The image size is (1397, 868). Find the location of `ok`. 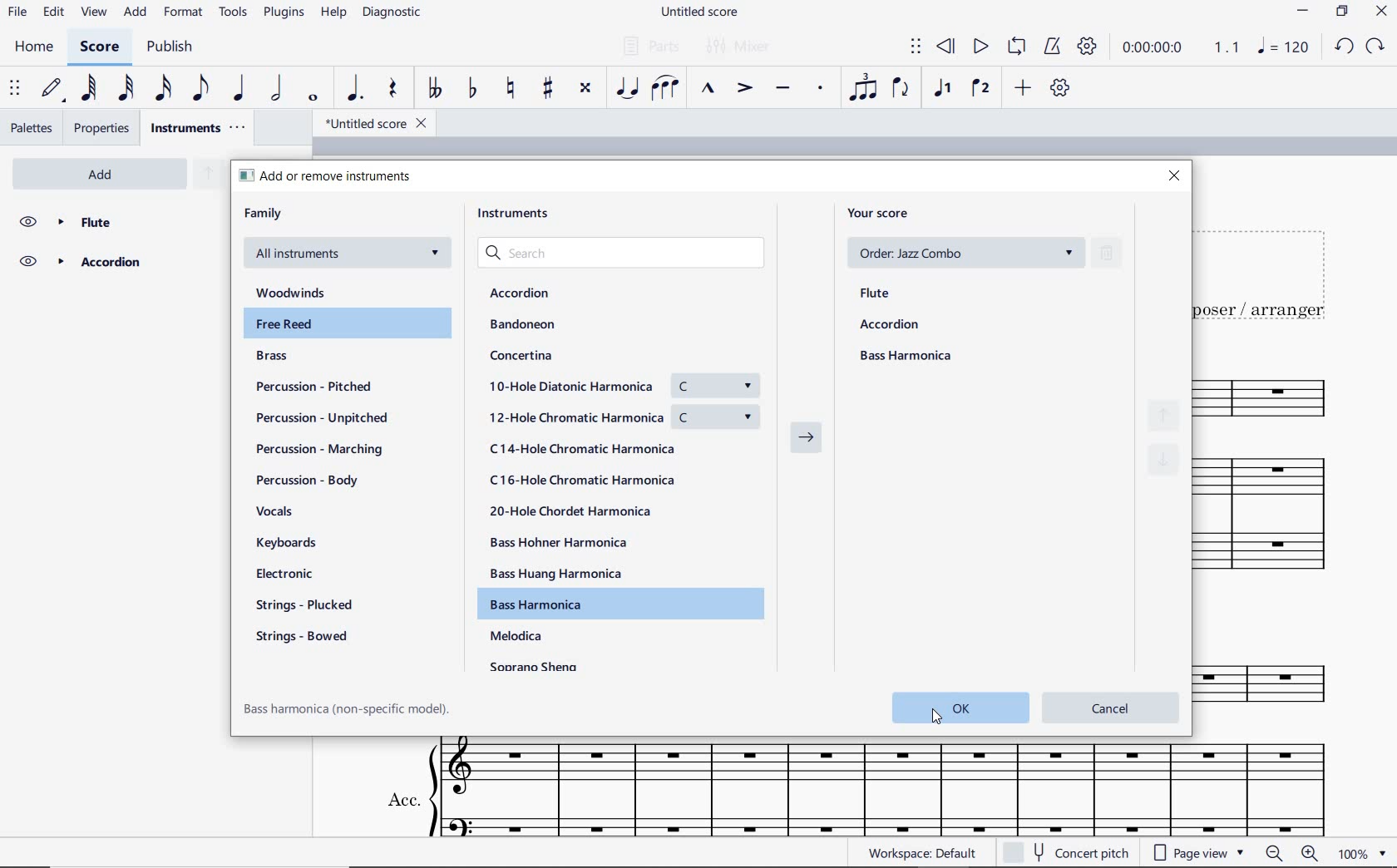

ok is located at coordinates (992, 708).